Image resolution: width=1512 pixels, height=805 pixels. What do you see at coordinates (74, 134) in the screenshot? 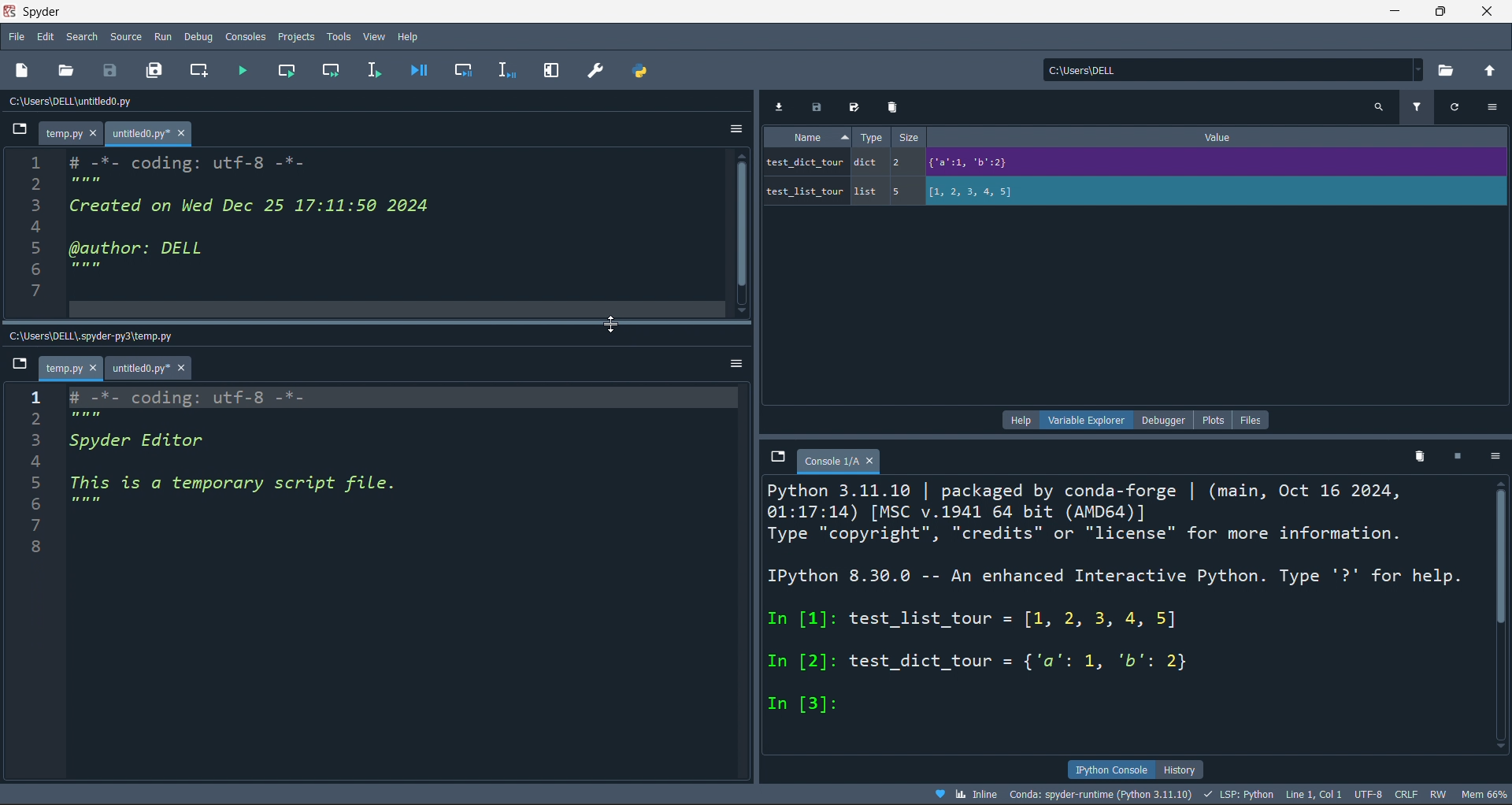
I see `temp.py` at bounding box center [74, 134].